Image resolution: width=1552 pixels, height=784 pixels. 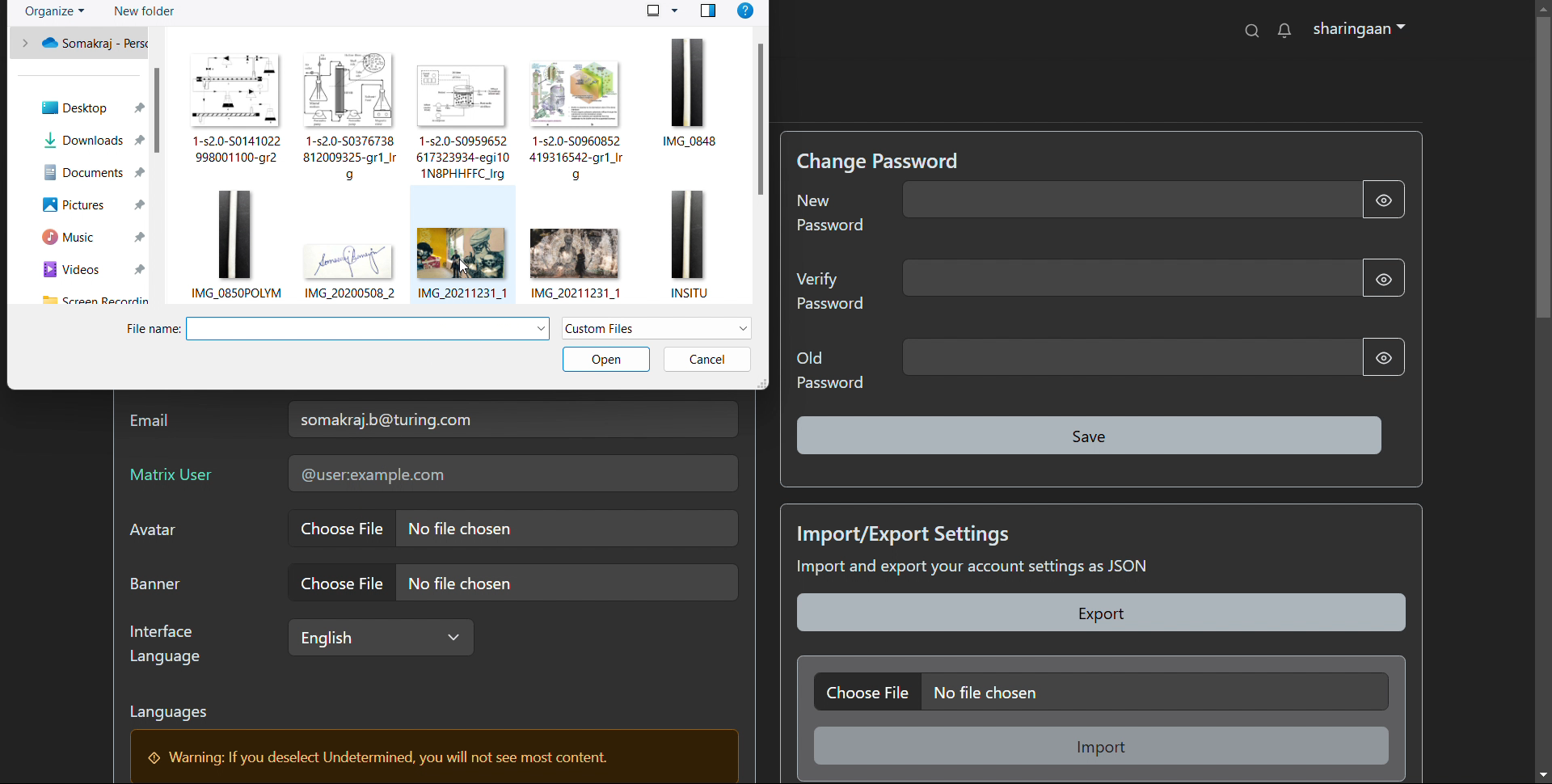 What do you see at coordinates (688, 245) in the screenshot?
I see `image 10` at bounding box center [688, 245].